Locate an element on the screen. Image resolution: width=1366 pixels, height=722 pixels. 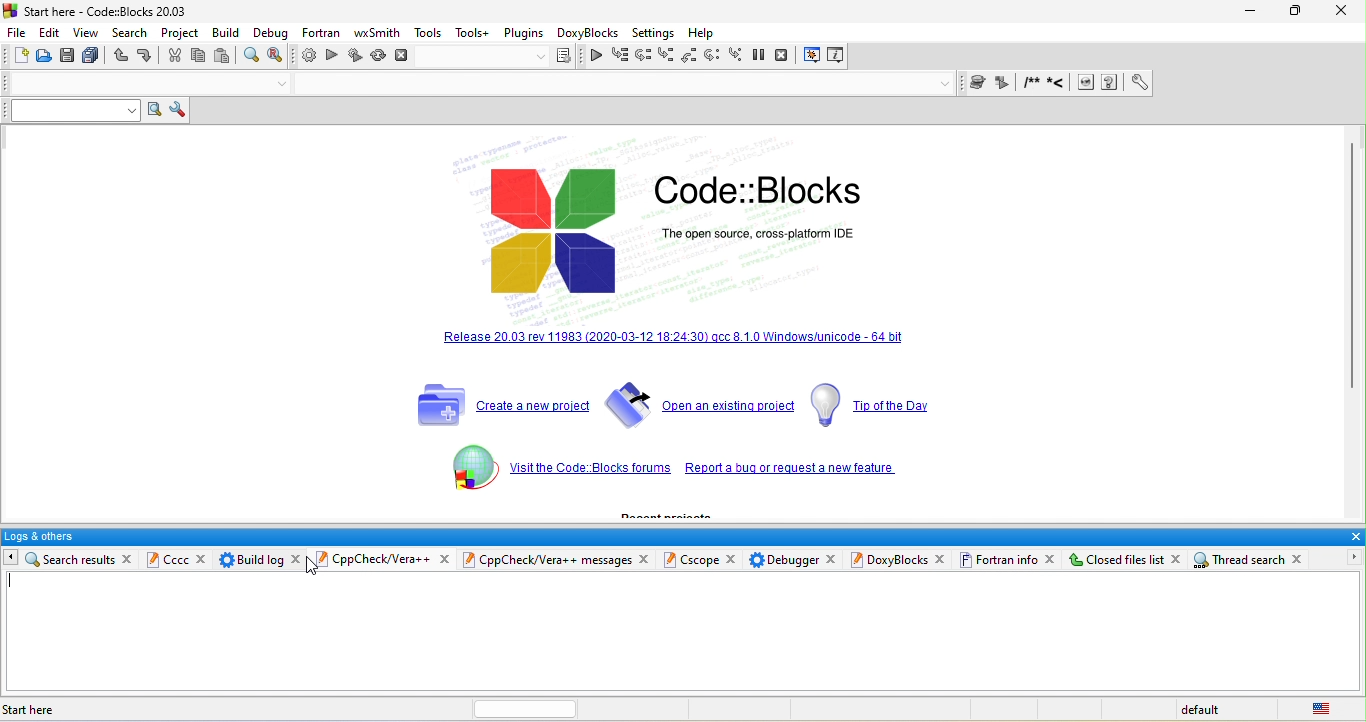
continue is located at coordinates (596, 54).